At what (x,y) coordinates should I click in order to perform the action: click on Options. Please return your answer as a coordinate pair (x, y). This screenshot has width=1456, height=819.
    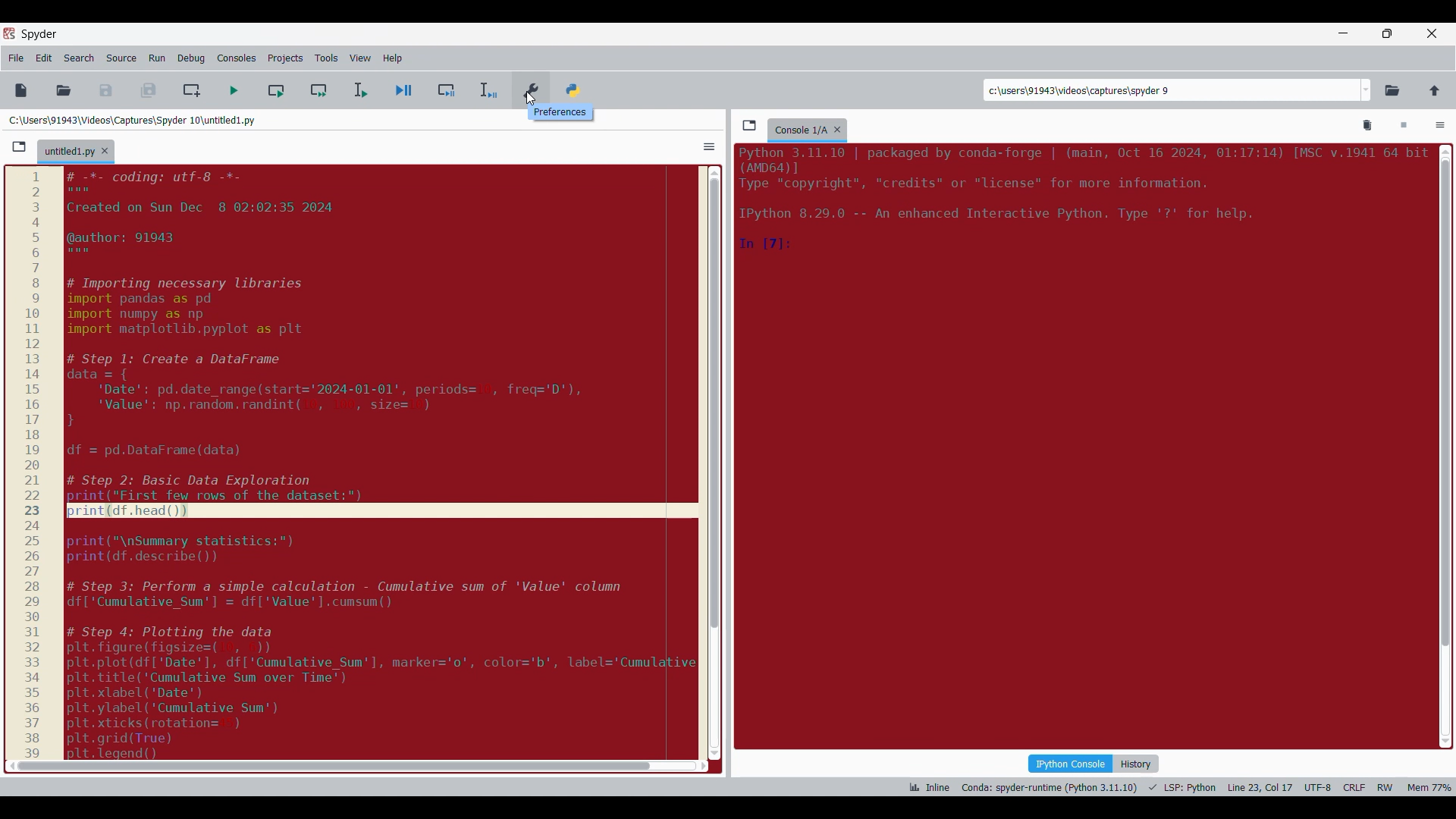
    Looking at the image, I should click on (710, 146).